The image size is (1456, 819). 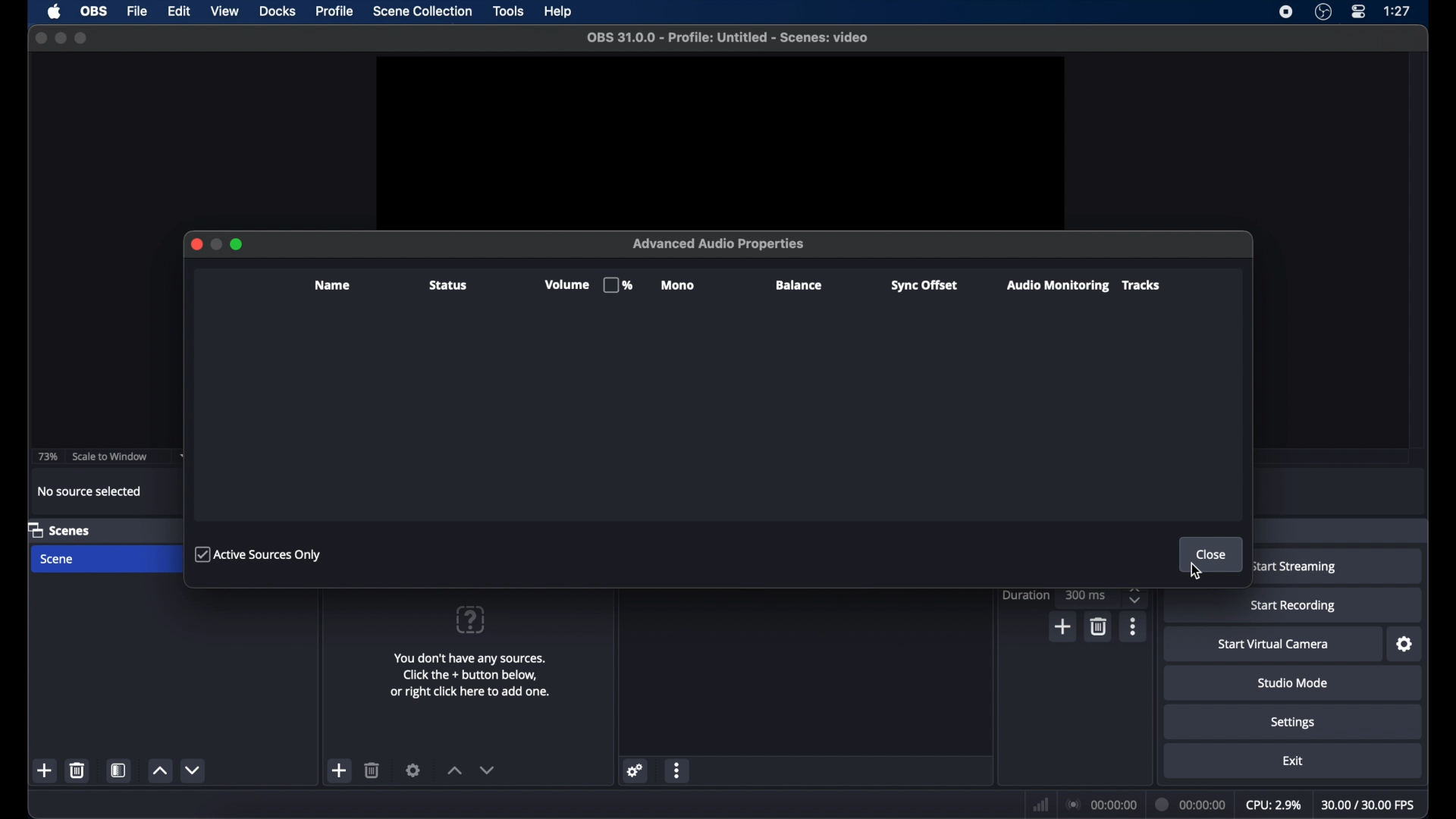 What do you see at coordinates (1296, 607) in the screenshot?
I see `start recording` at bounding box center [1296, 607].